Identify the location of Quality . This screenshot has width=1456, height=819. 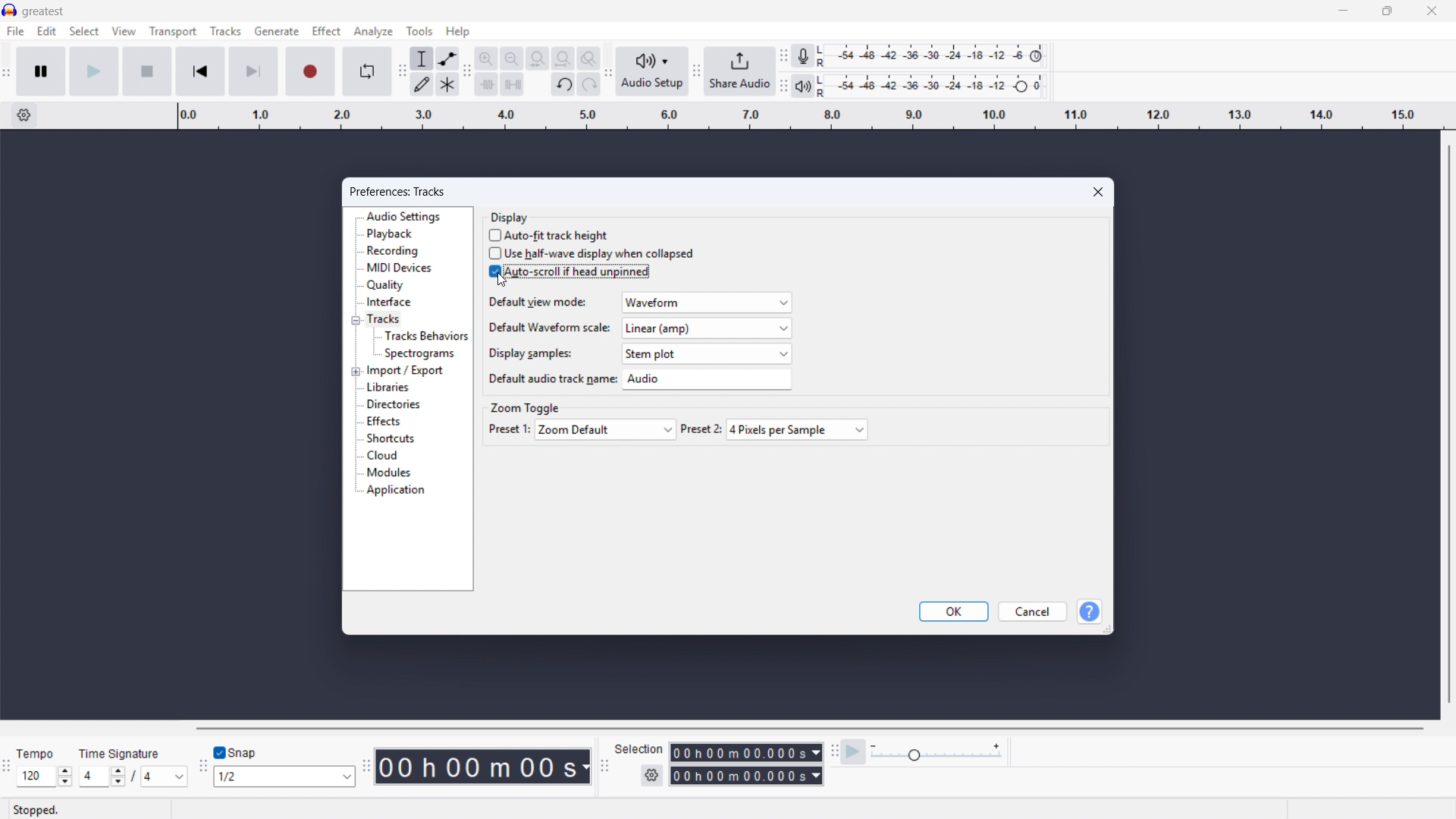
(385, 285).